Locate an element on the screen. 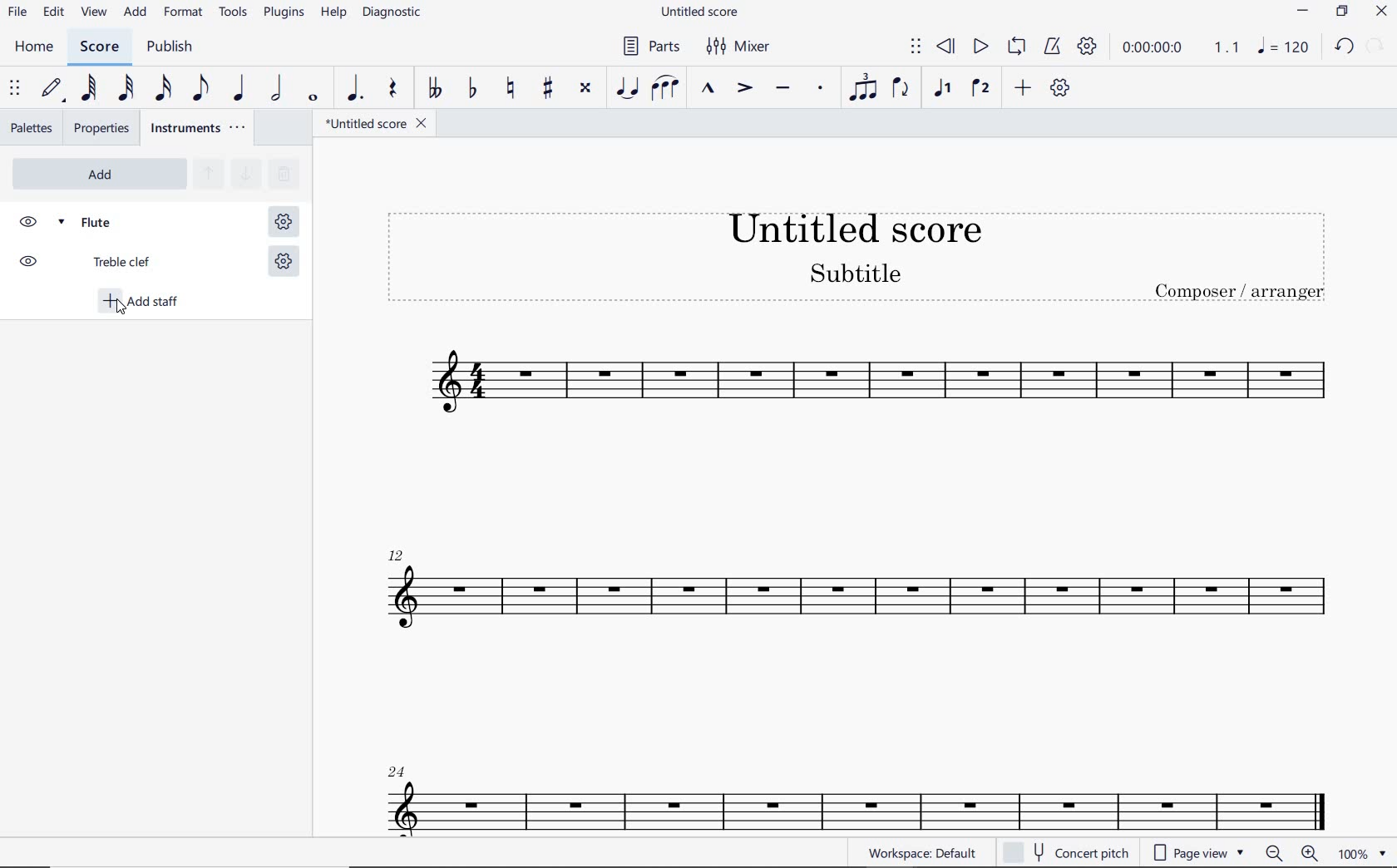 The image size is (1397, 868). MOVE SELECTED INSTRUMENT DOWN is located at coordinates (244, 172).